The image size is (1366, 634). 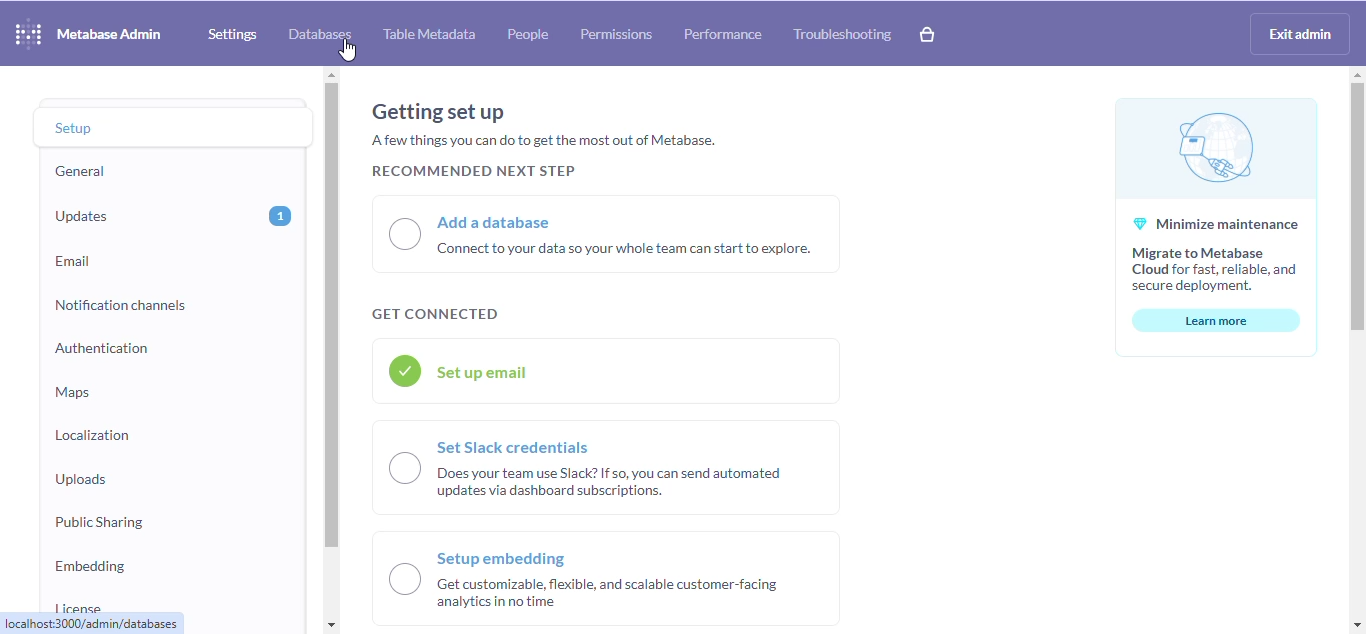 I want to click on general, so click(x=80, y=172).